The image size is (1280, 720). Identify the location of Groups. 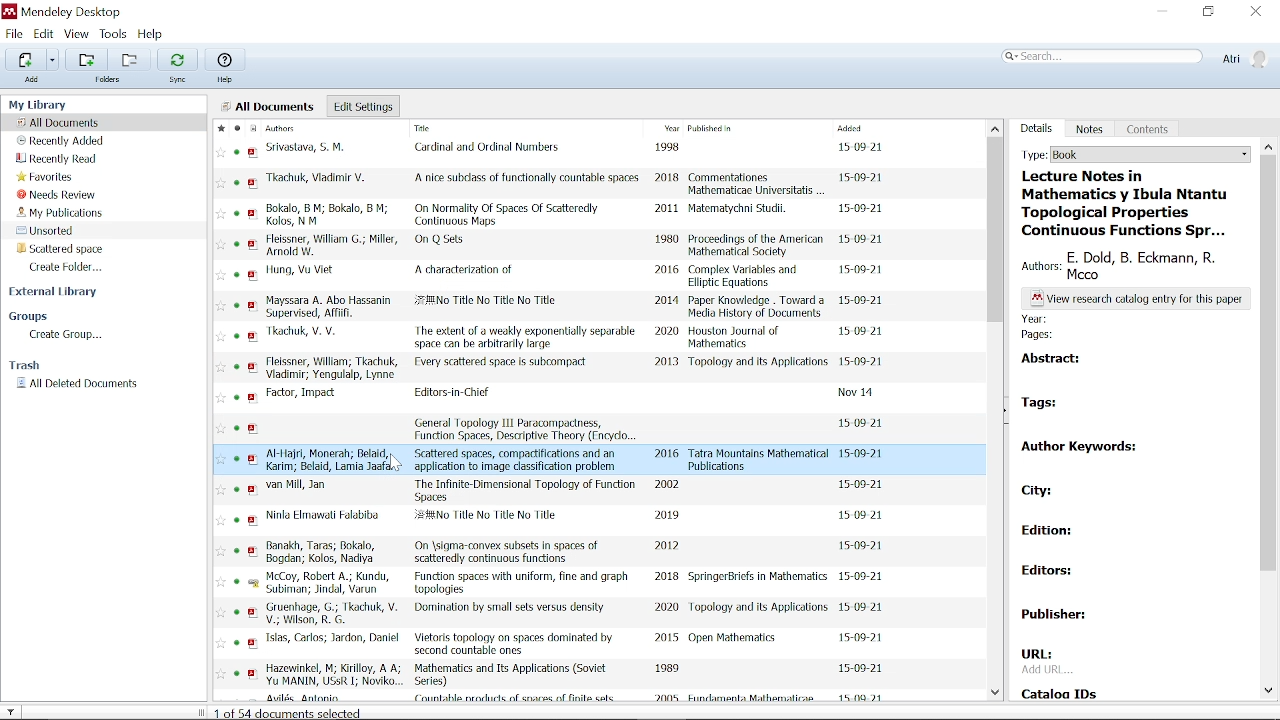
(30, 317).